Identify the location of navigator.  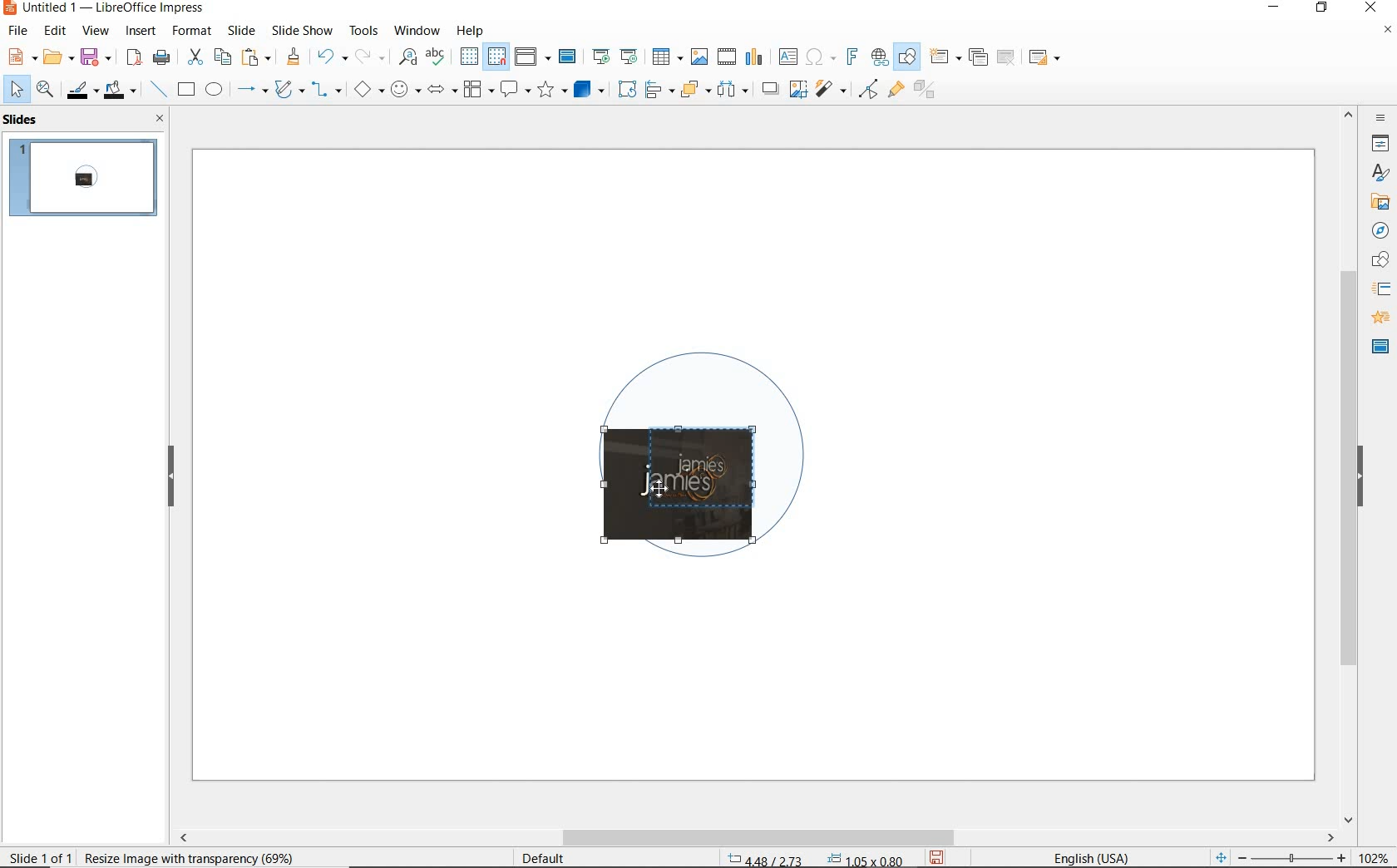
(1379, 229).